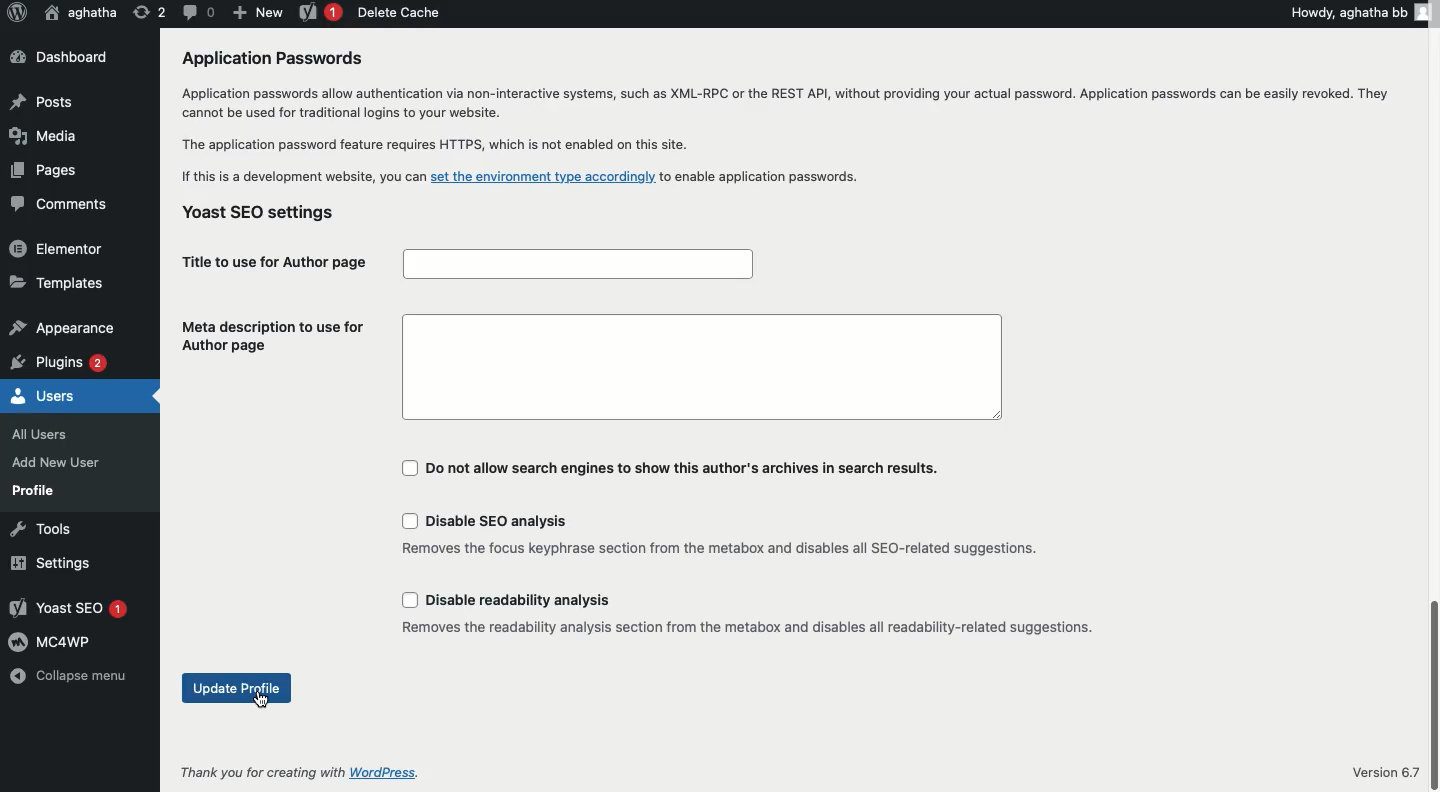 The image size is (1440, 792). Describe the element at coordinates (1383, 767) in the screenshot. I see `Version 6.7` at that location.